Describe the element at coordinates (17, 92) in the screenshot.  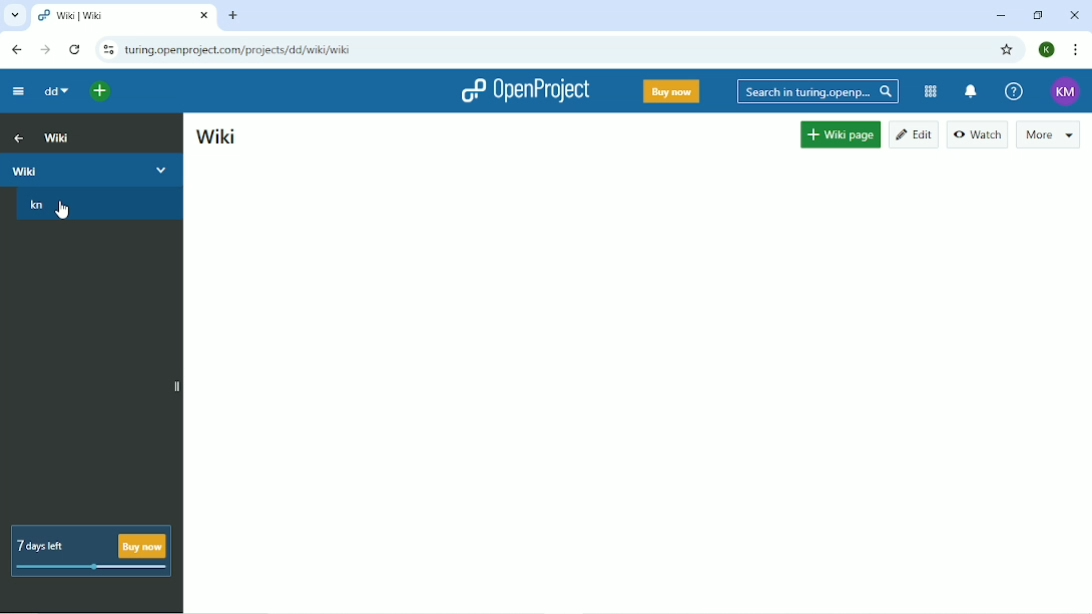
I see `Collapse project menu` at that location.